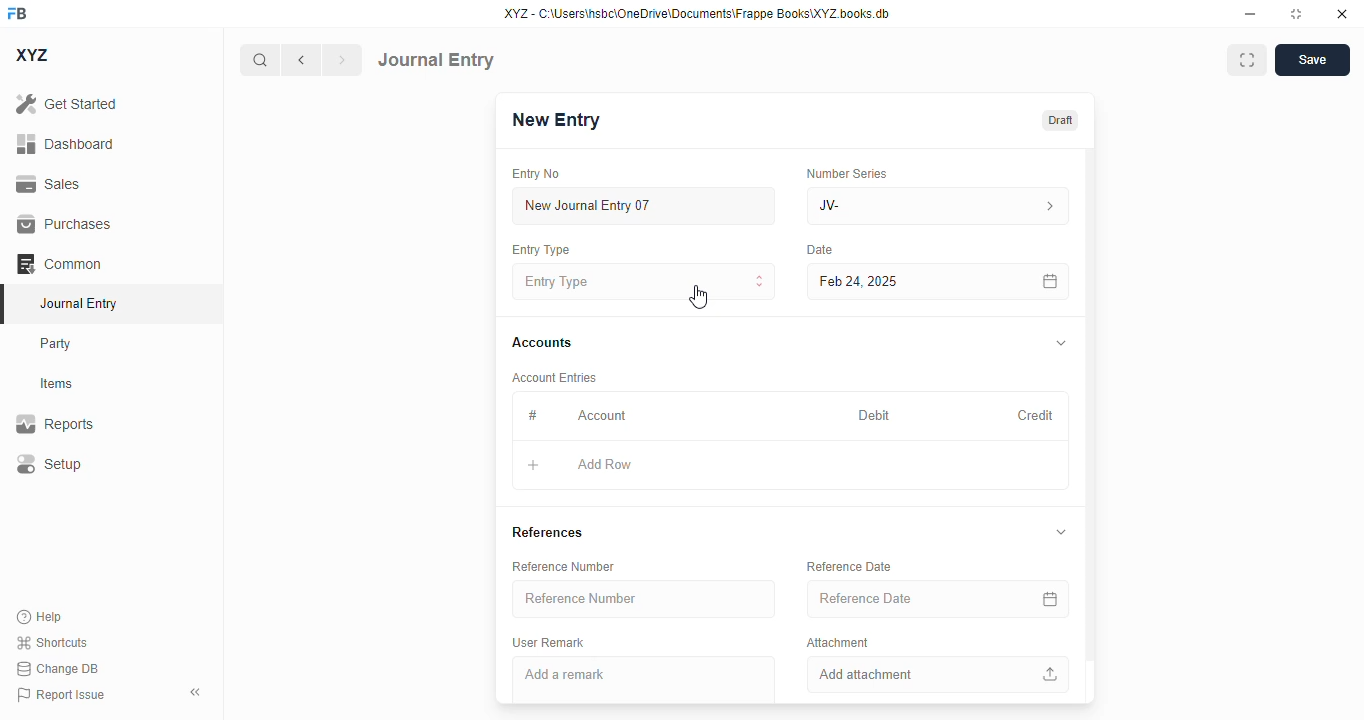  Describe the element at coordinates (197, 692) in the screenshot. I see `toggle sidebar` at that location.